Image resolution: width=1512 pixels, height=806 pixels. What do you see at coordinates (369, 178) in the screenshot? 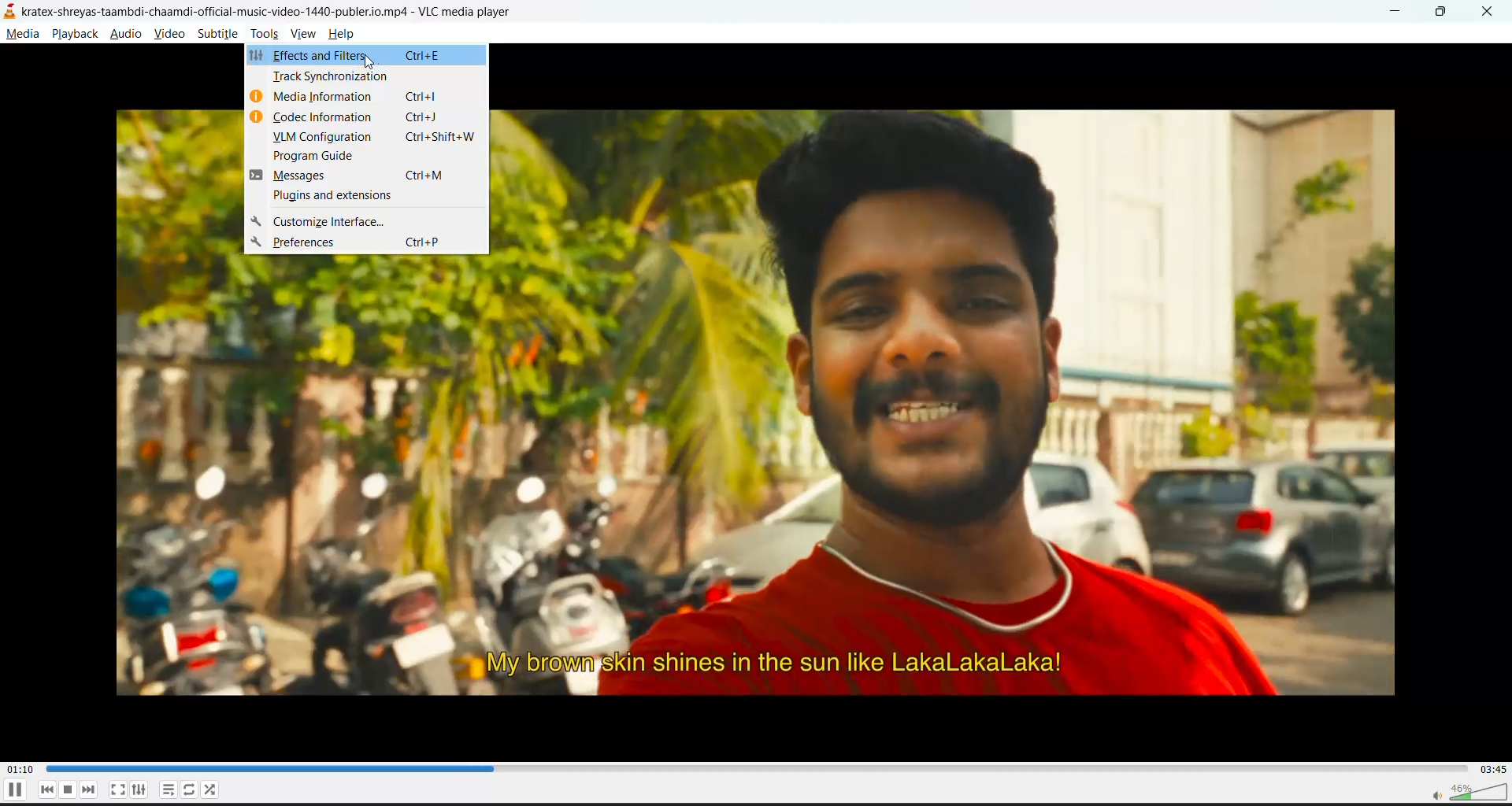
I see `messages` at bounding box center [369, 178].